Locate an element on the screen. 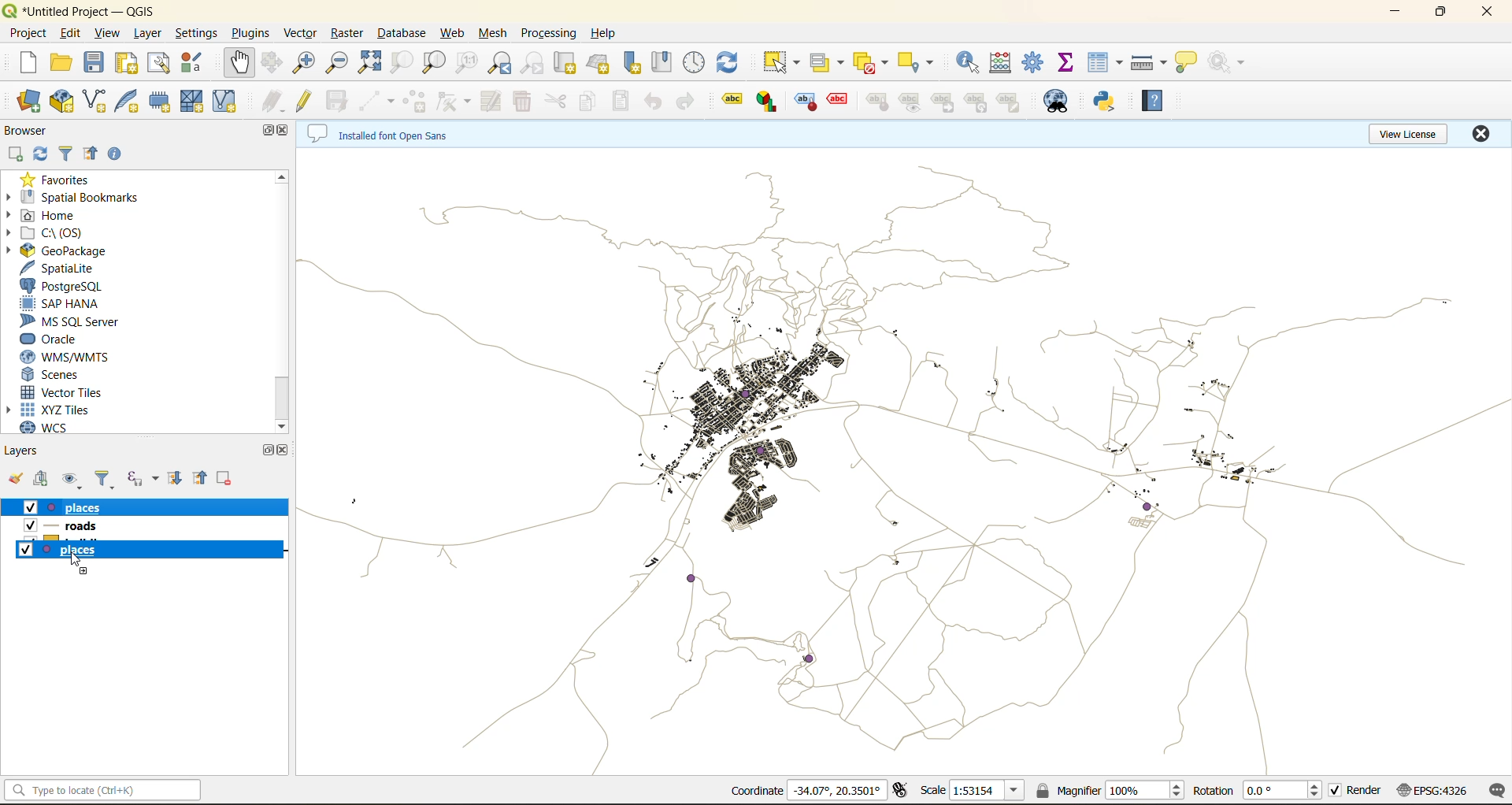 Image resolution: width=1512 pixels, height=805 pixels. zoom in is located at coordinates (306, 65).